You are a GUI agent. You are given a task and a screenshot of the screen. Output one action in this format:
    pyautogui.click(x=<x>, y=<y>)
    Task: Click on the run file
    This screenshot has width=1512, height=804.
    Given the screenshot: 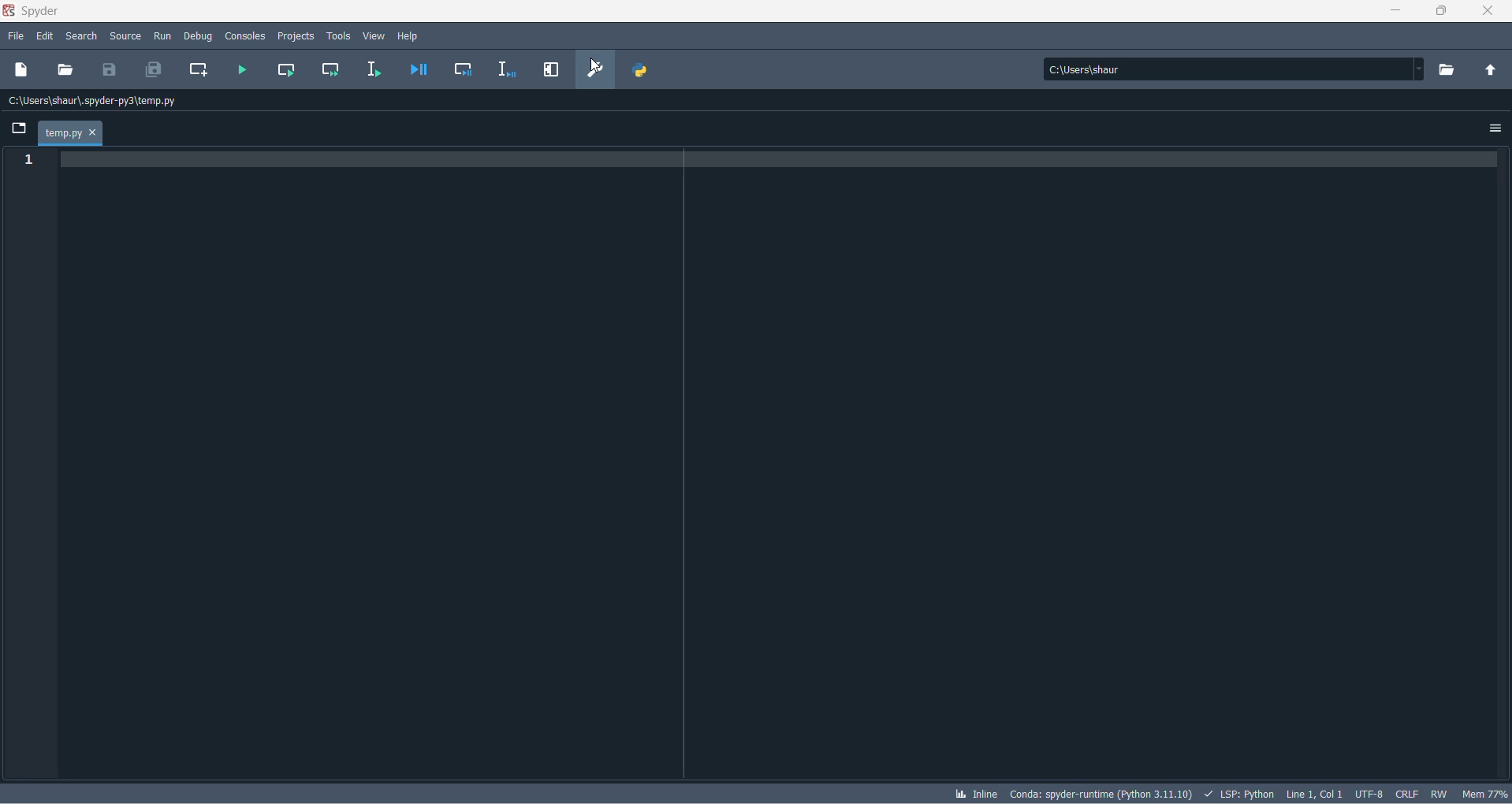 What is the action you would take?
    pyautogui.click(x=243, y=70)
    